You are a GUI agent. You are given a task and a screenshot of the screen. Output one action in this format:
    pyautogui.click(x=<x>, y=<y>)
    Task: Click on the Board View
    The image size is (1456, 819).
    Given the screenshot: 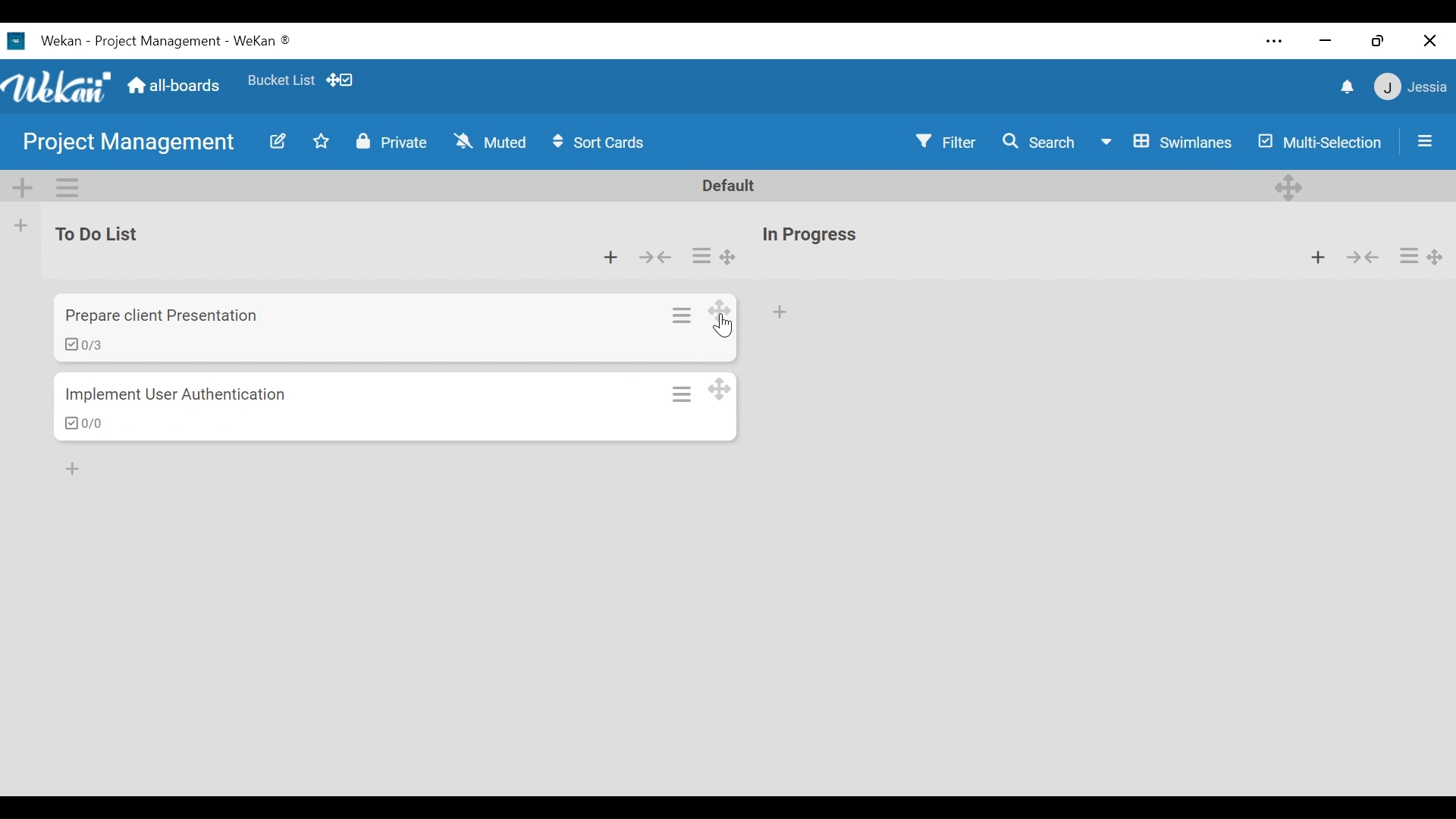 What is the action you would take?
    pyautogui.click(x=1170, y=143)
    